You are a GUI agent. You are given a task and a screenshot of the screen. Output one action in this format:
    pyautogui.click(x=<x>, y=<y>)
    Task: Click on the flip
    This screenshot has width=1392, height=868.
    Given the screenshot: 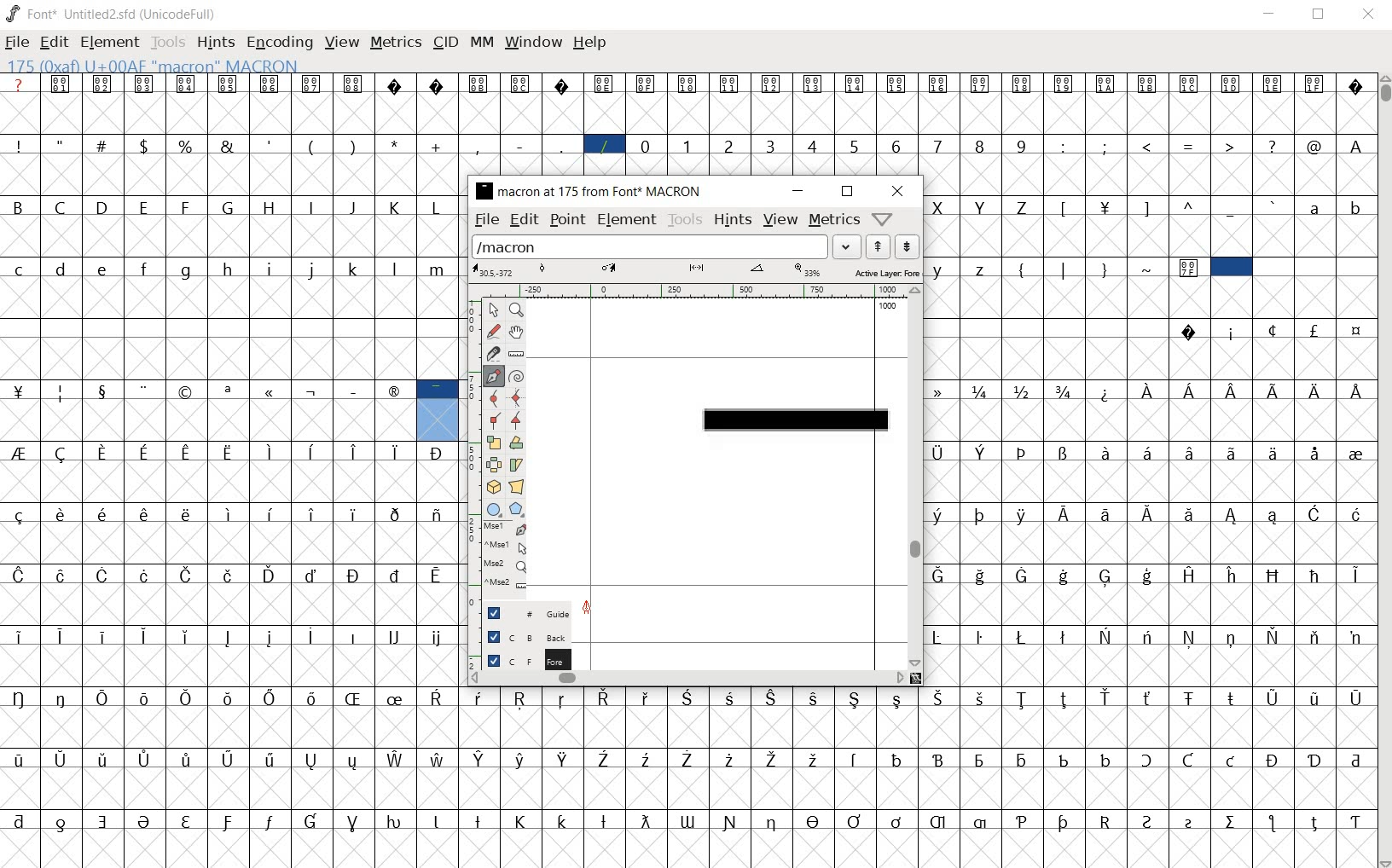 What is the action you would take?
    pyautogui.click(x=493, y=464)
    